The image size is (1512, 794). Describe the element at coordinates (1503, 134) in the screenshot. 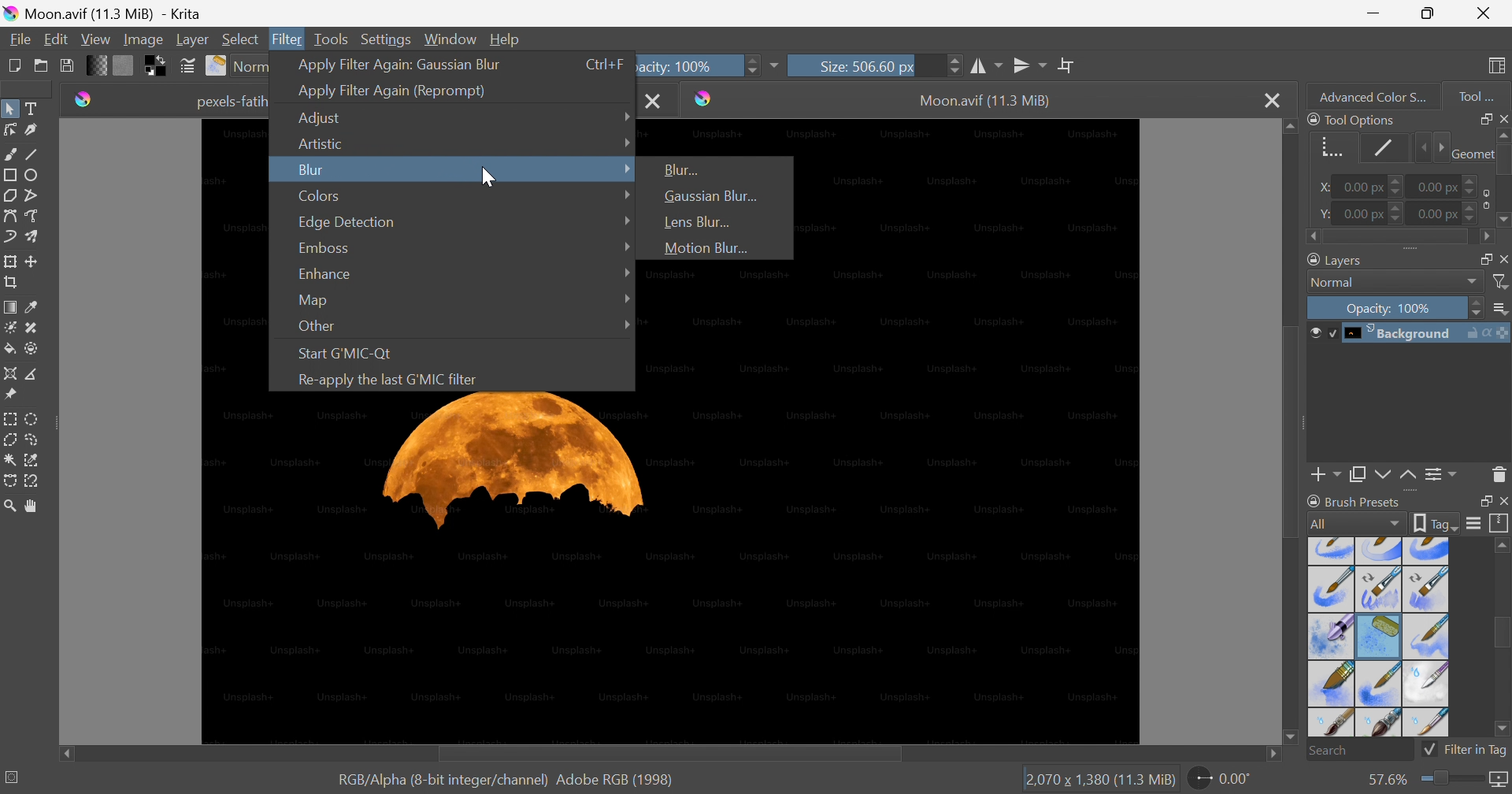

I see `Scroll up` at that location.